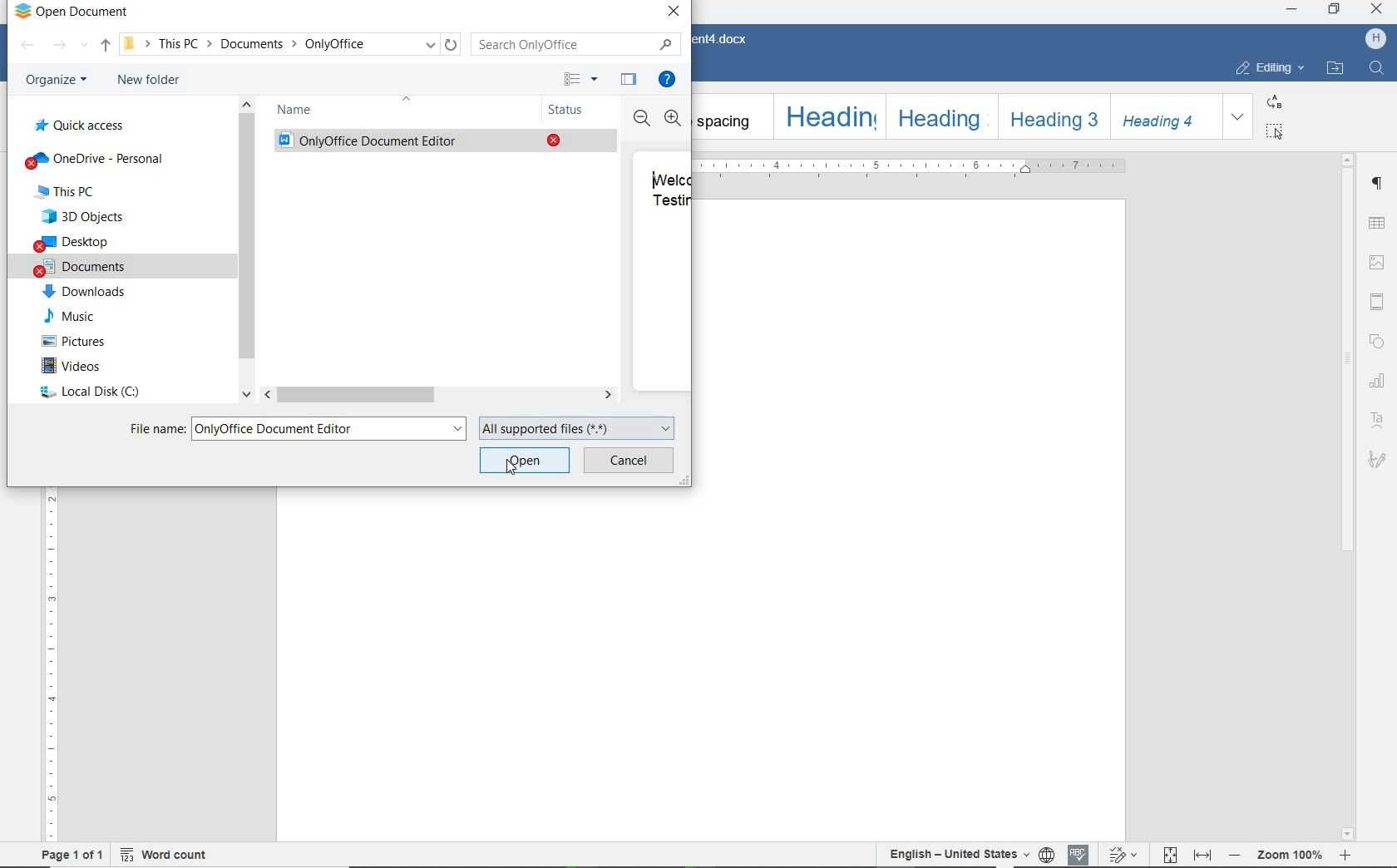 The width and height of the screenshot is (1397, 868). I want to click on open, so click(521, 463).